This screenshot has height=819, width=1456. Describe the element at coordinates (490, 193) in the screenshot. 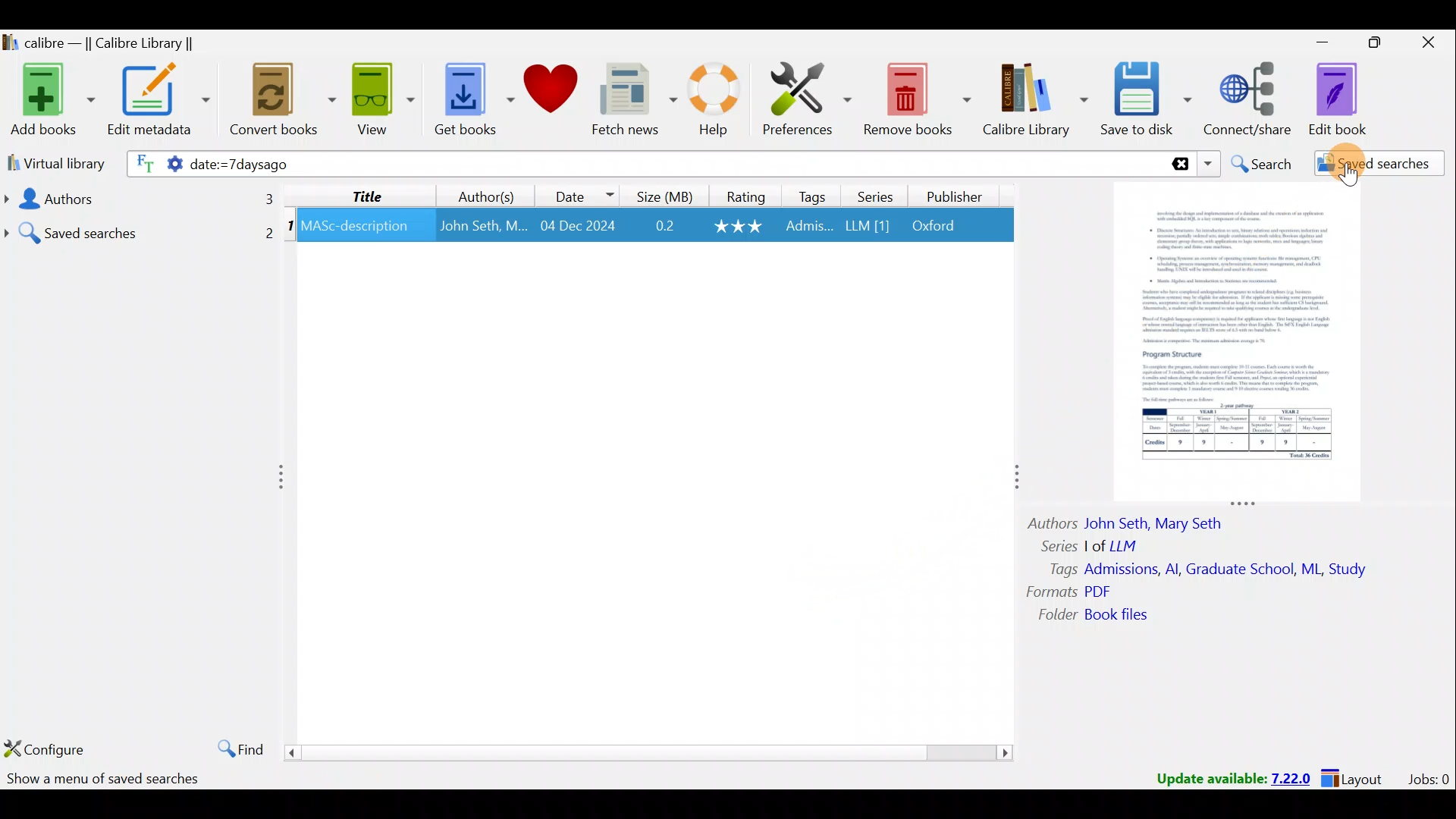

I see `Author(s)` at that location.